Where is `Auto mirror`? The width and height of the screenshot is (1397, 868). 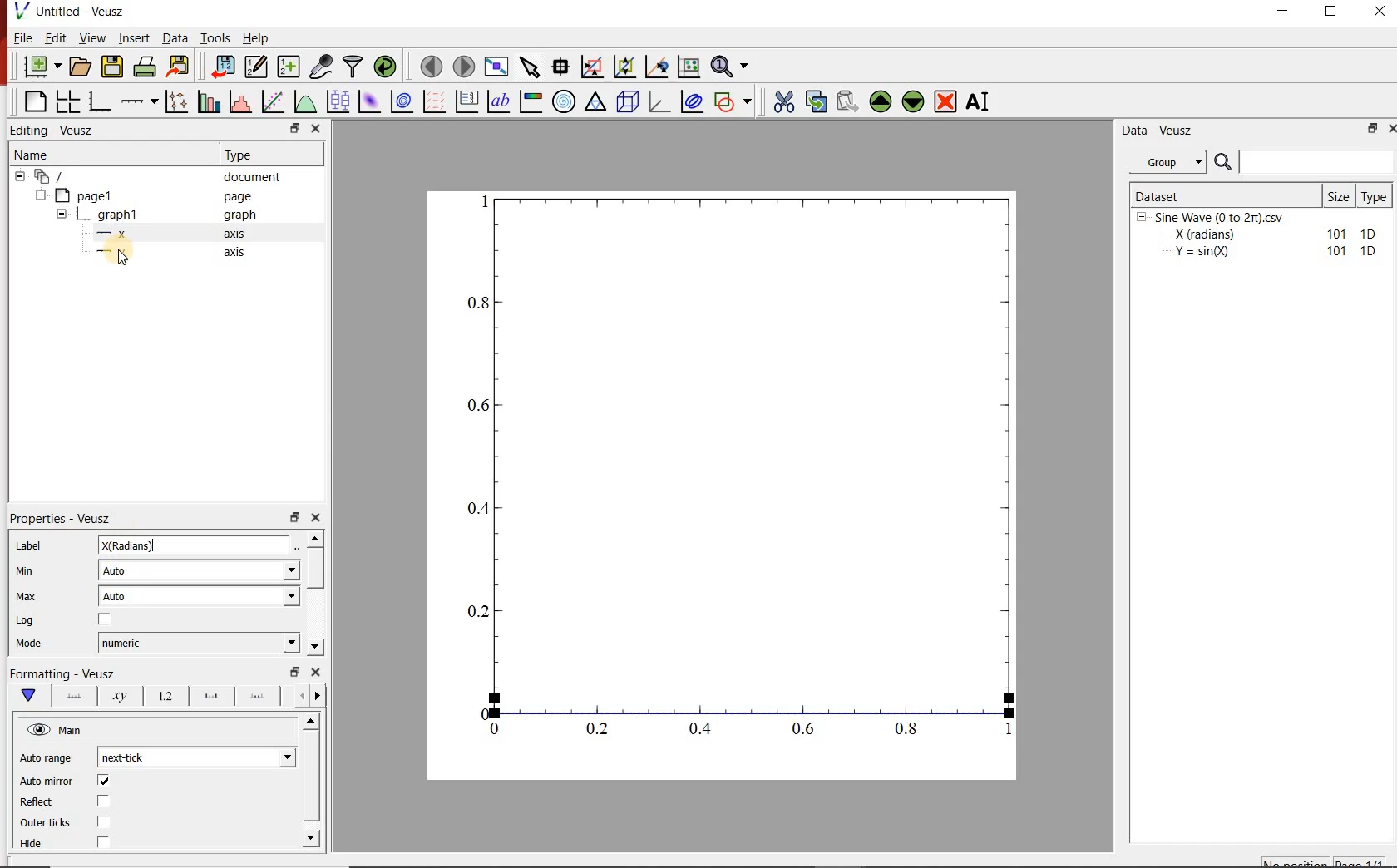
Auto mirror is located at coordinates (47, 782).